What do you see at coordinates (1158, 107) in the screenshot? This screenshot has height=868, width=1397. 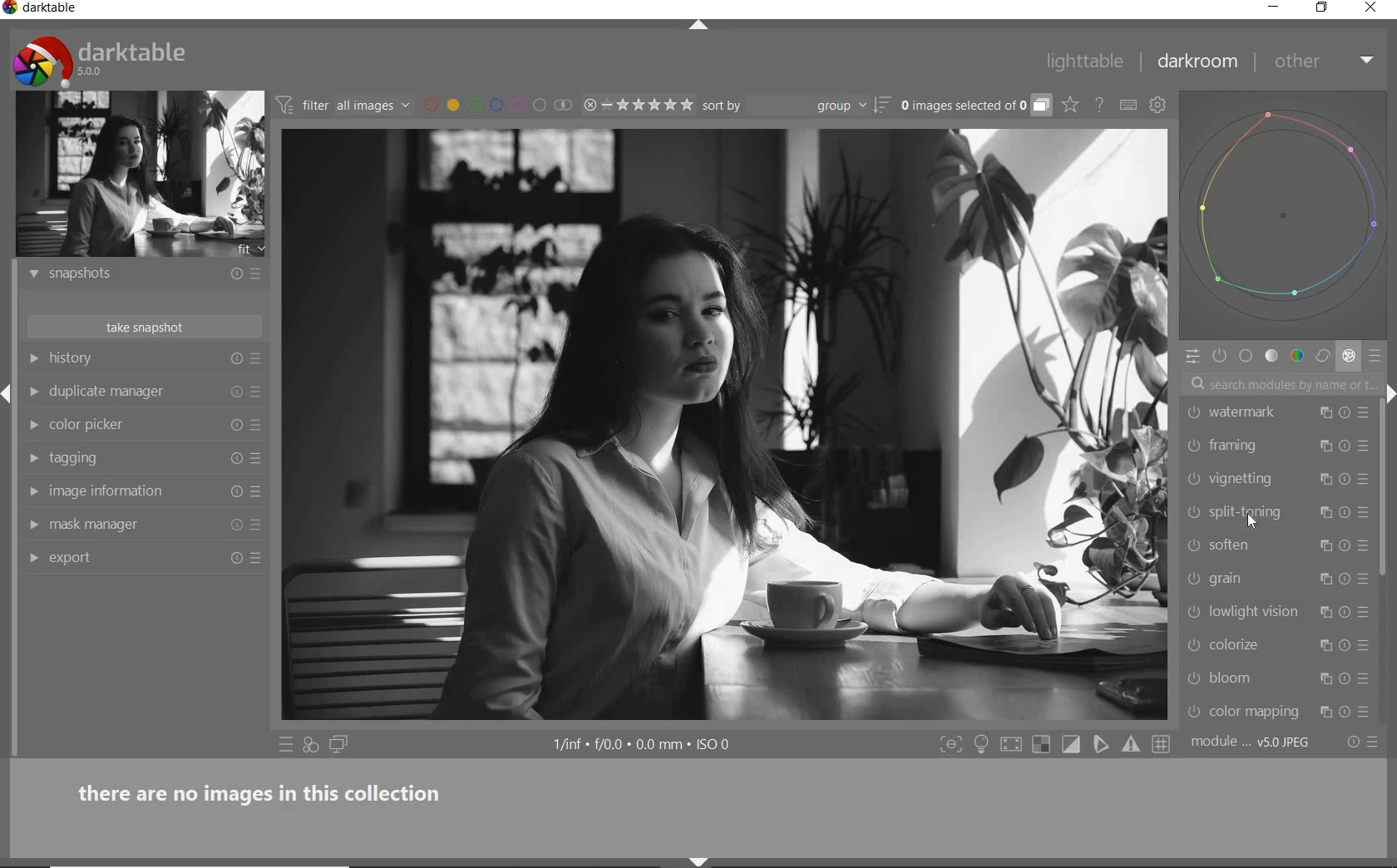 I see `show global preferences` at bounding box center [1158, 107].